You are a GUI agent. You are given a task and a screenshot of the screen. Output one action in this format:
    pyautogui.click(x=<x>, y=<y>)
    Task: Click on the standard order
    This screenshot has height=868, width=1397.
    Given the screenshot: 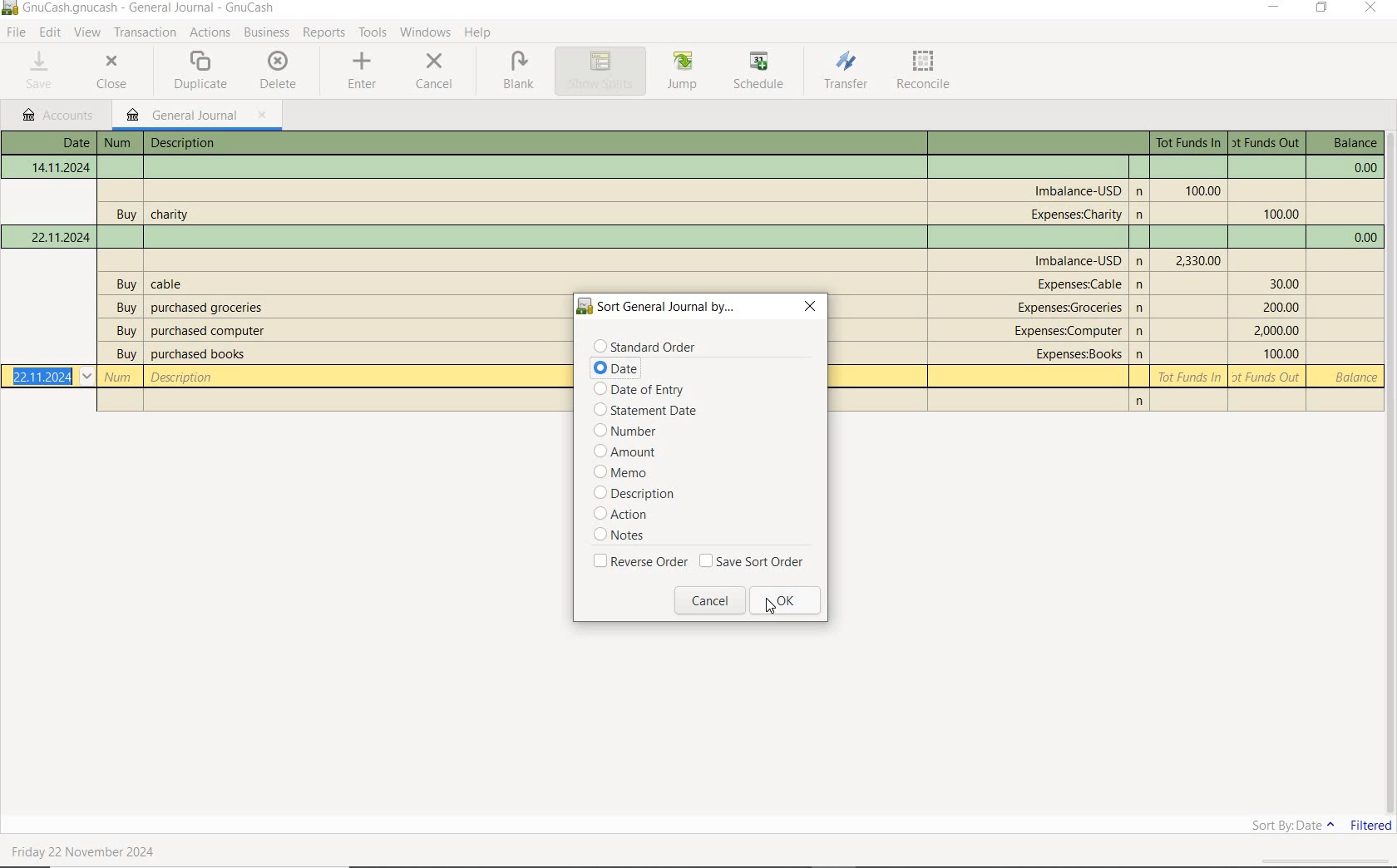 What is the action you would take?
    pyautogui.click(x=646, y=345)
    